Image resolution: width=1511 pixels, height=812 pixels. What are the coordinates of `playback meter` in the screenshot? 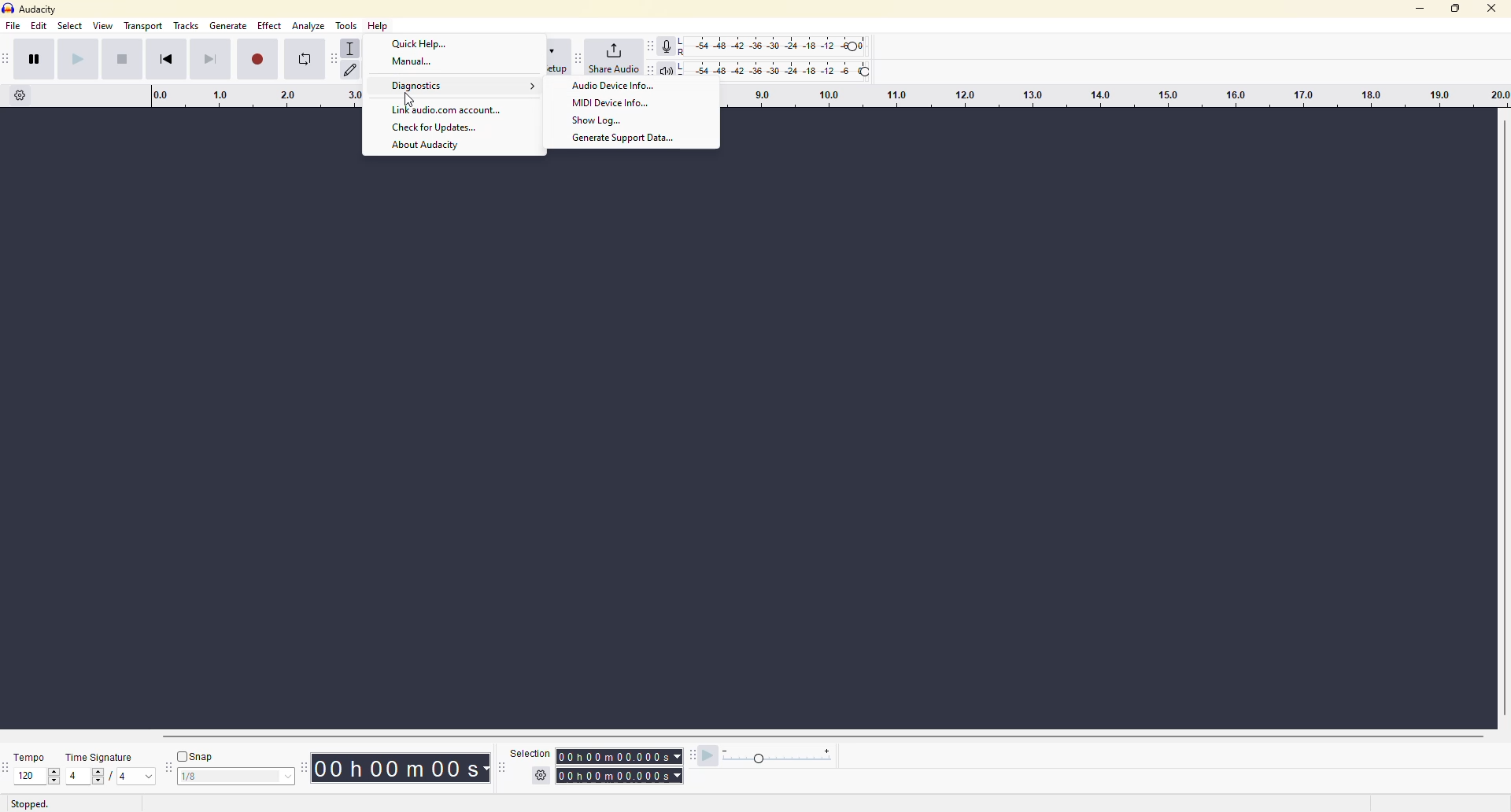 It's located at (672, 69).